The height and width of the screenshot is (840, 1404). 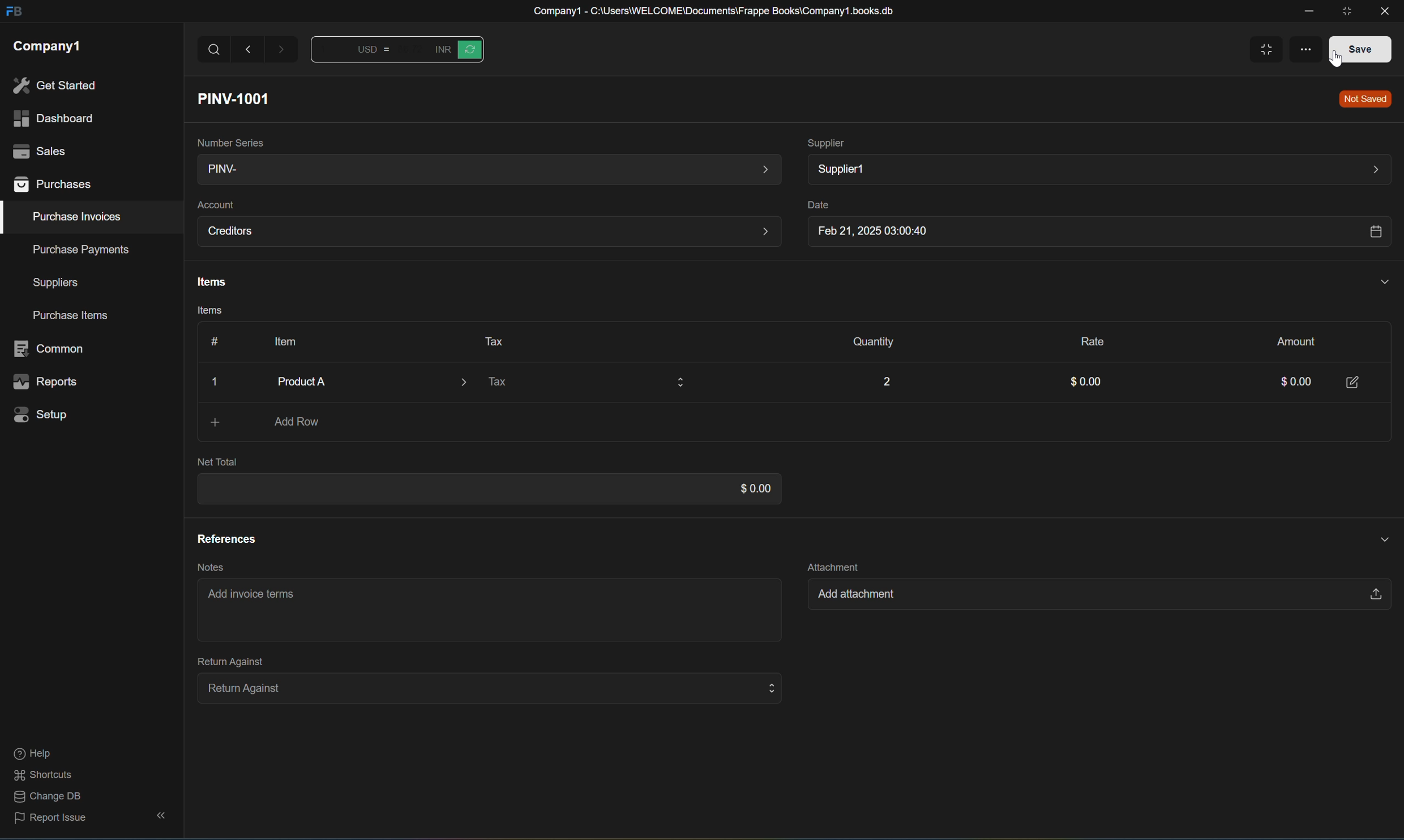 I want to click on Not Saved, so click(x=1362, y=99).